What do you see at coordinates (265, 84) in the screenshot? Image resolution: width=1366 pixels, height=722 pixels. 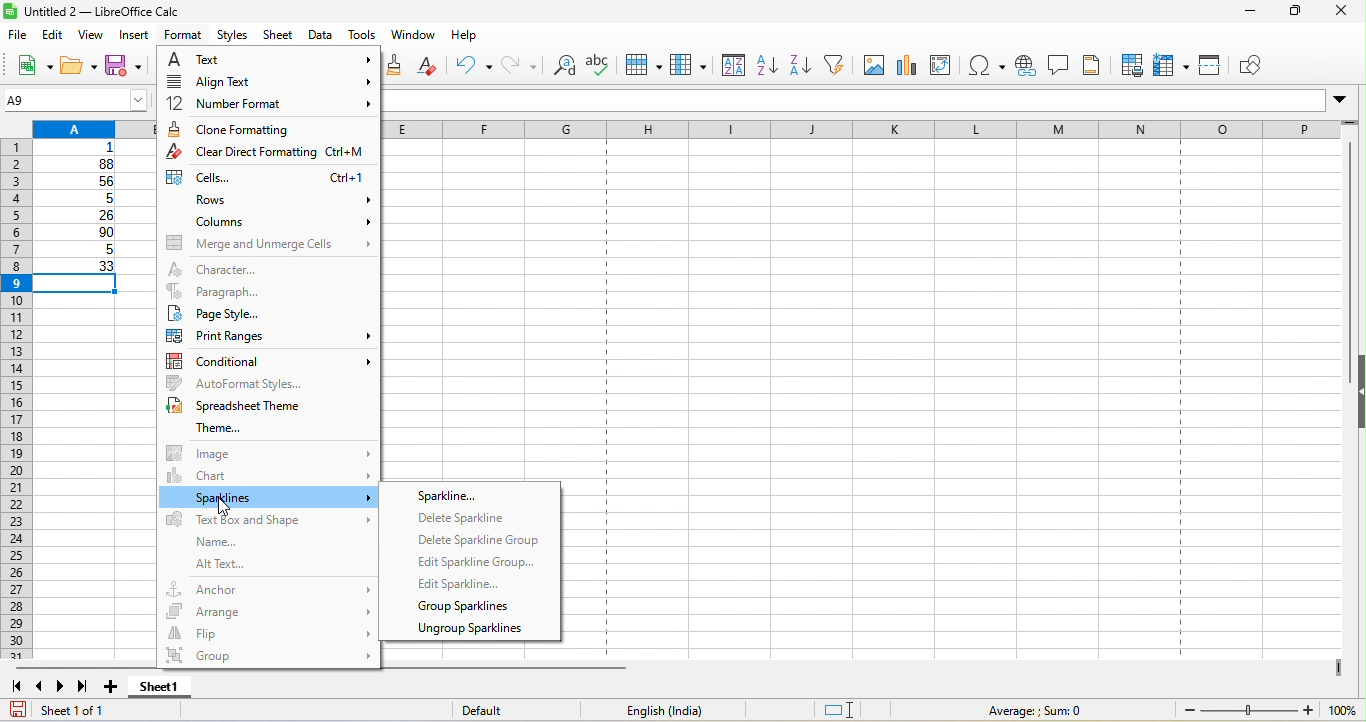 I see `align text` at bounding box center [265, 84].